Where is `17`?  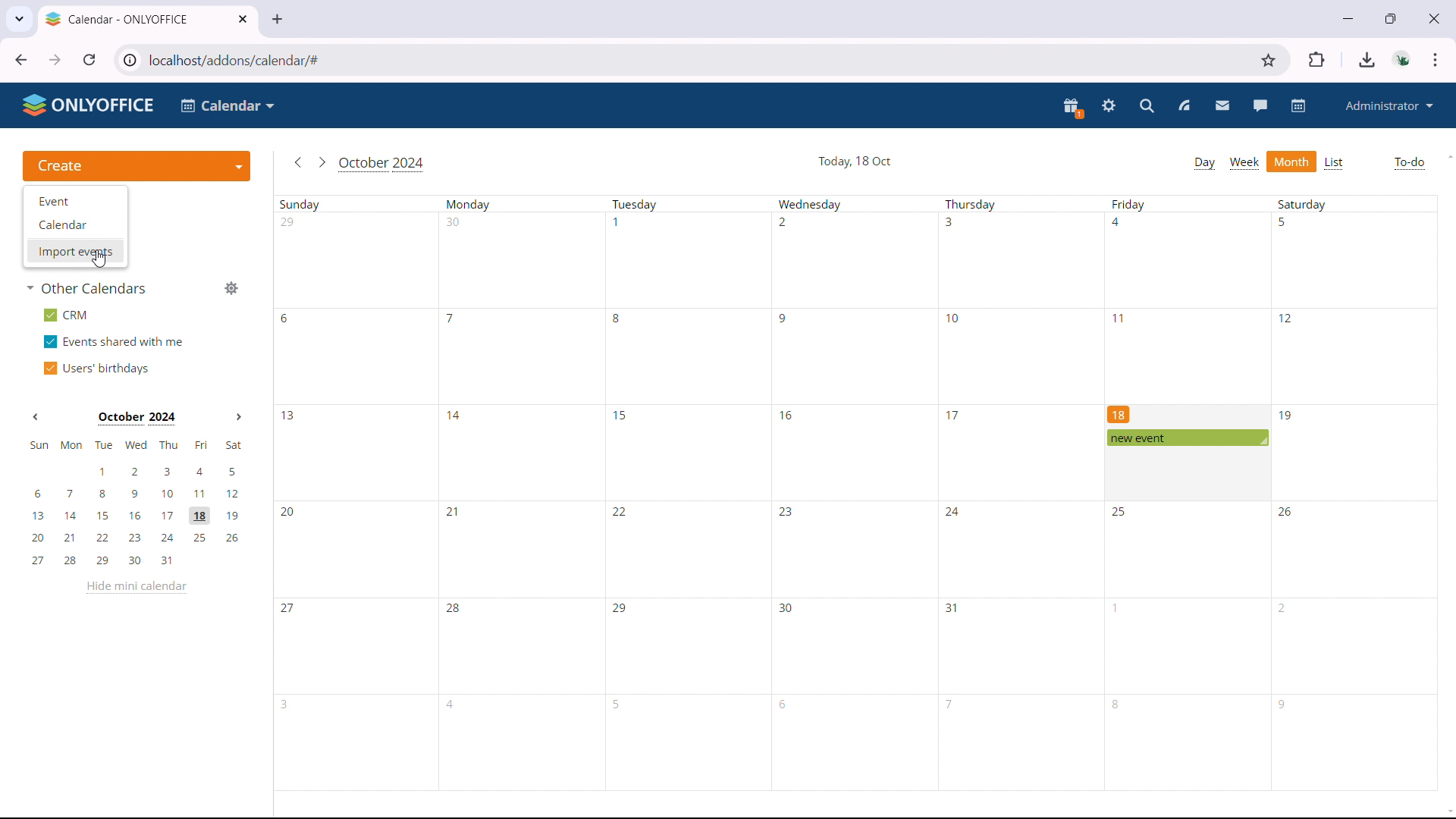
17 is located at coordinates (953, 415).